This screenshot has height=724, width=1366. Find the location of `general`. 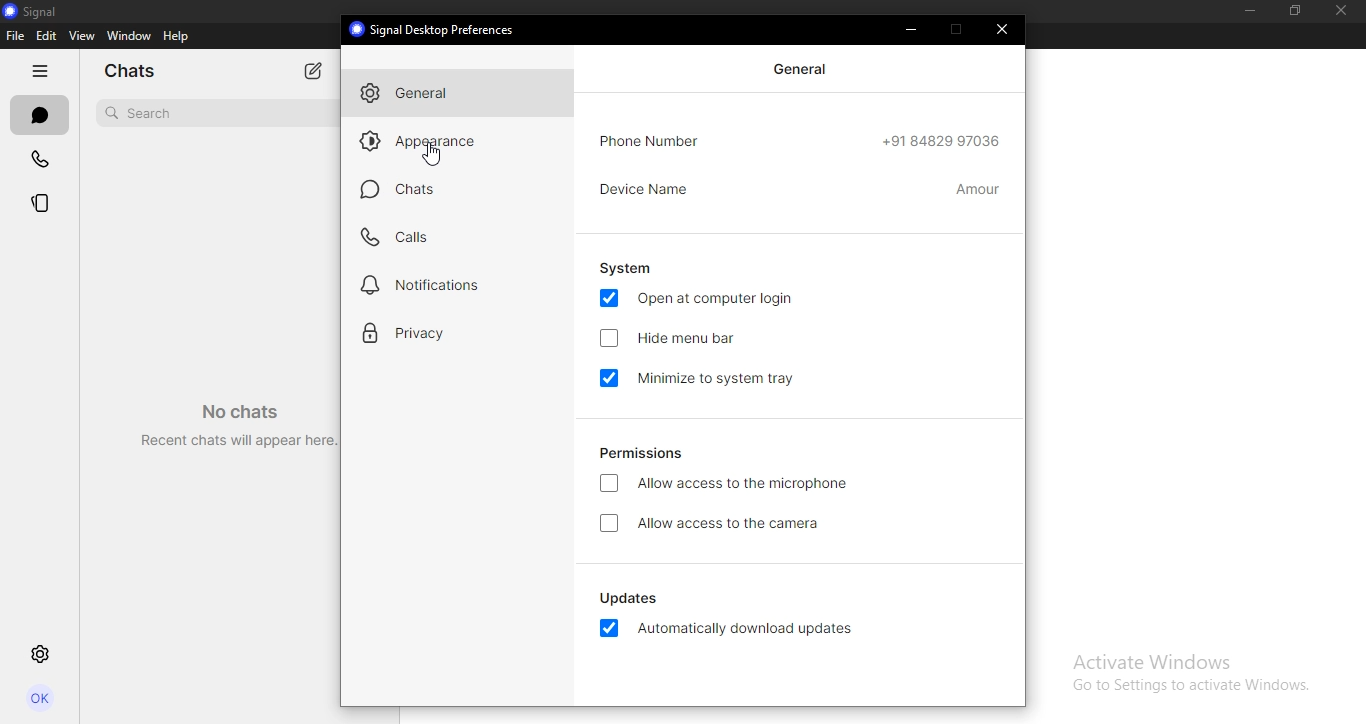

general is located at coordinates (804, 69).